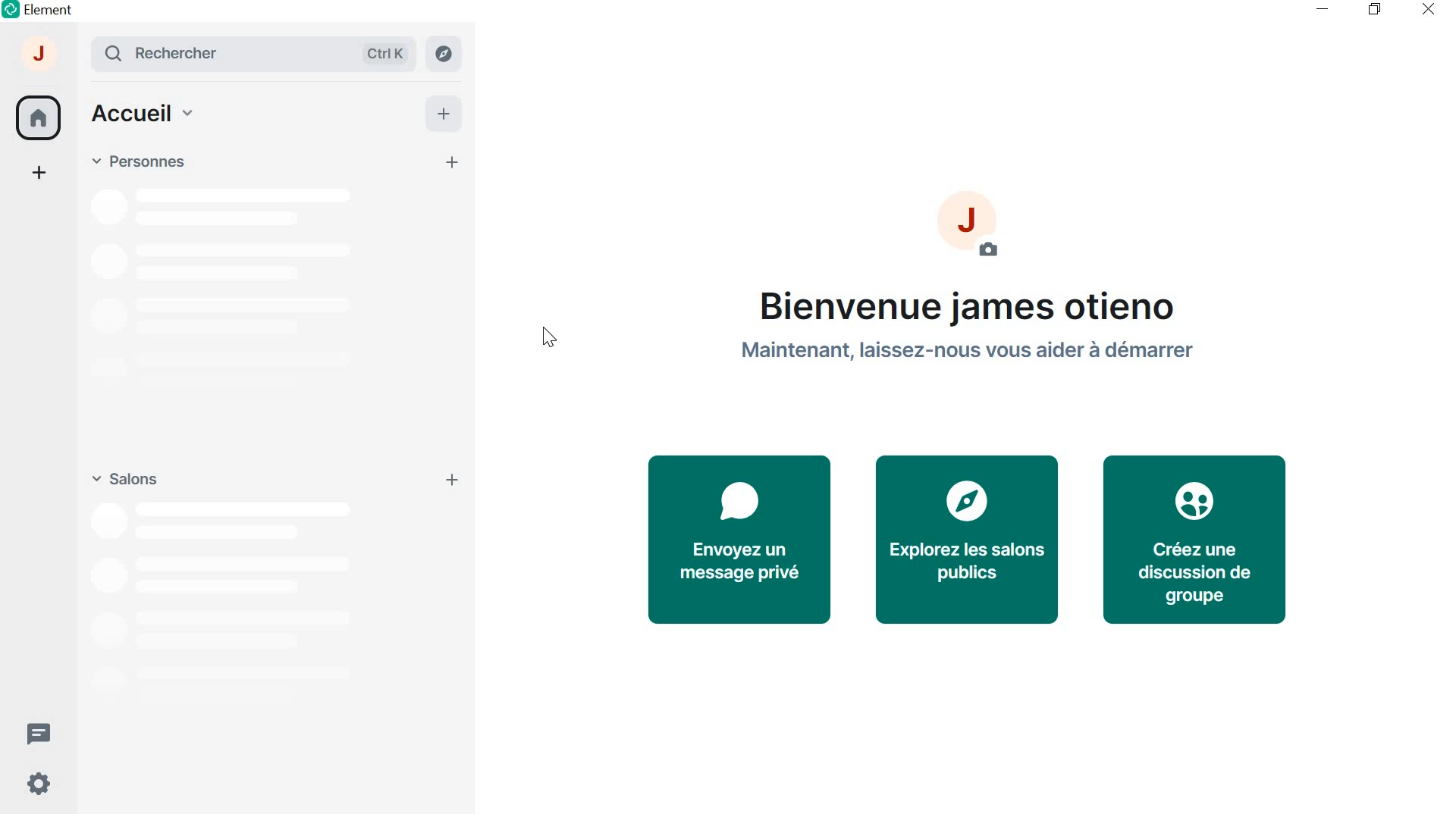 Image resolution: width=1456 pixels, height=814 pixels. What do you see at coordinates (979, 233) in the screenshot?
I see `display picture` at bounding box center [979, 233].